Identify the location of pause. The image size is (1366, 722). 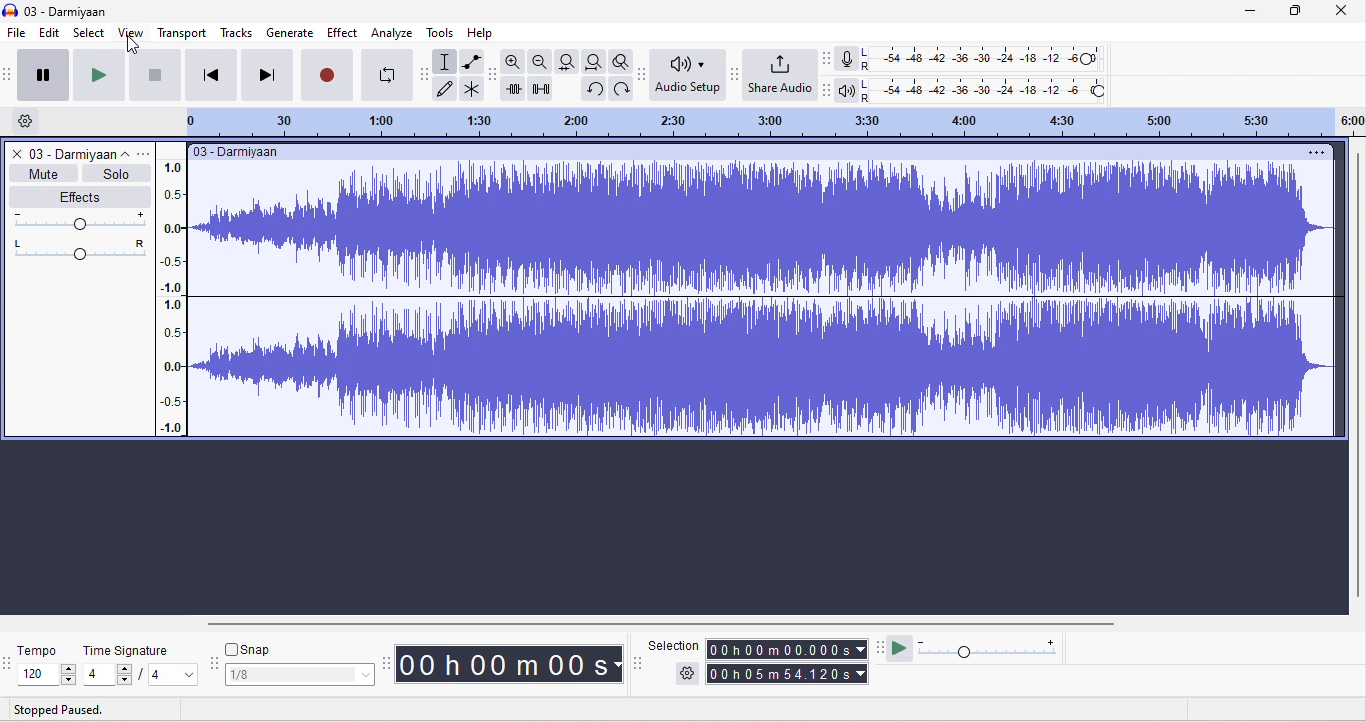
(44, 74).